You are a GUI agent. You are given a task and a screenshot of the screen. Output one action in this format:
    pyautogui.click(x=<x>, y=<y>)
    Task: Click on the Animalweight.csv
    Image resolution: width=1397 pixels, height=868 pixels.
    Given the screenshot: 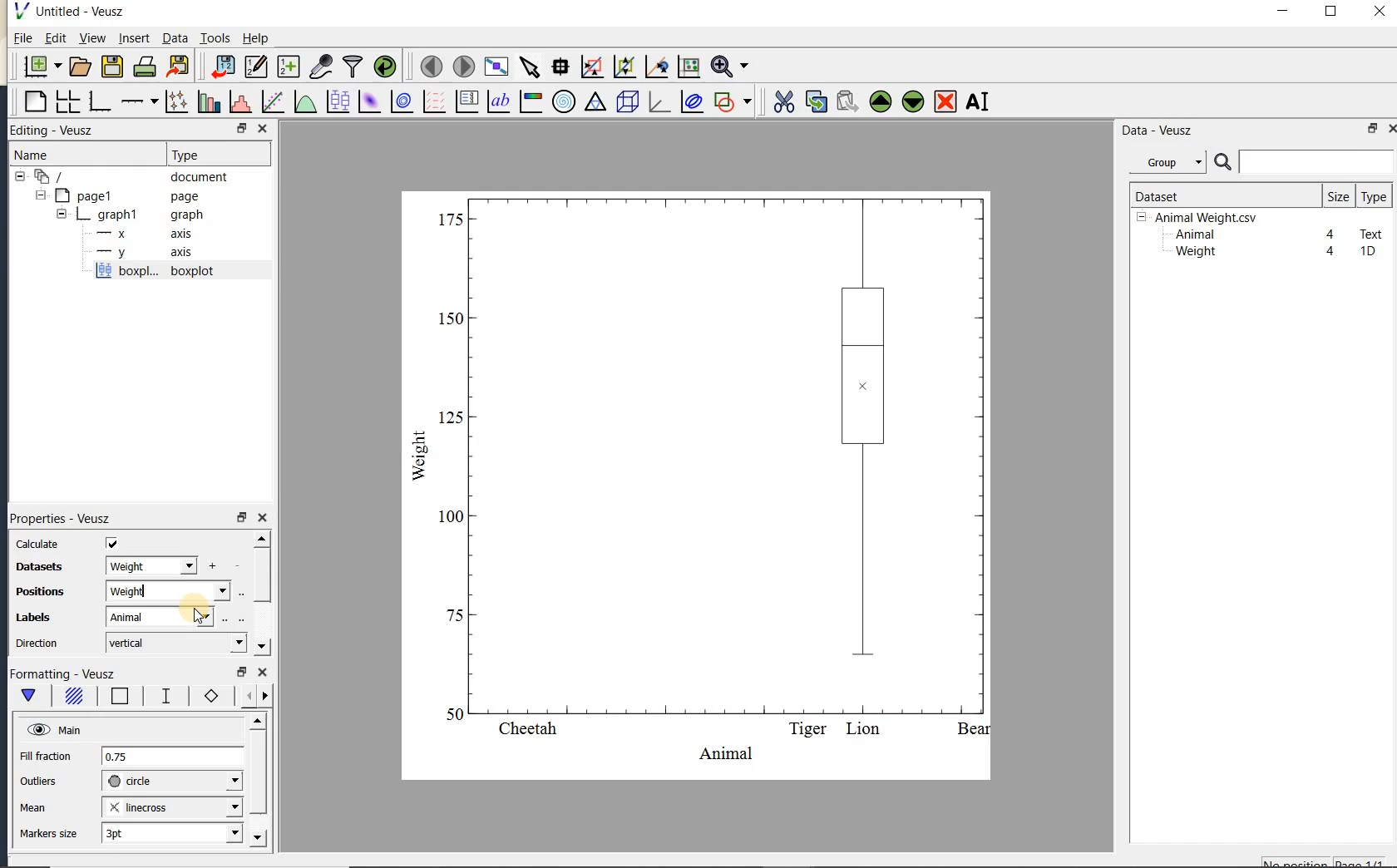 What is the action you would take?
    pyautogui.click(x=1201, y=218)
    